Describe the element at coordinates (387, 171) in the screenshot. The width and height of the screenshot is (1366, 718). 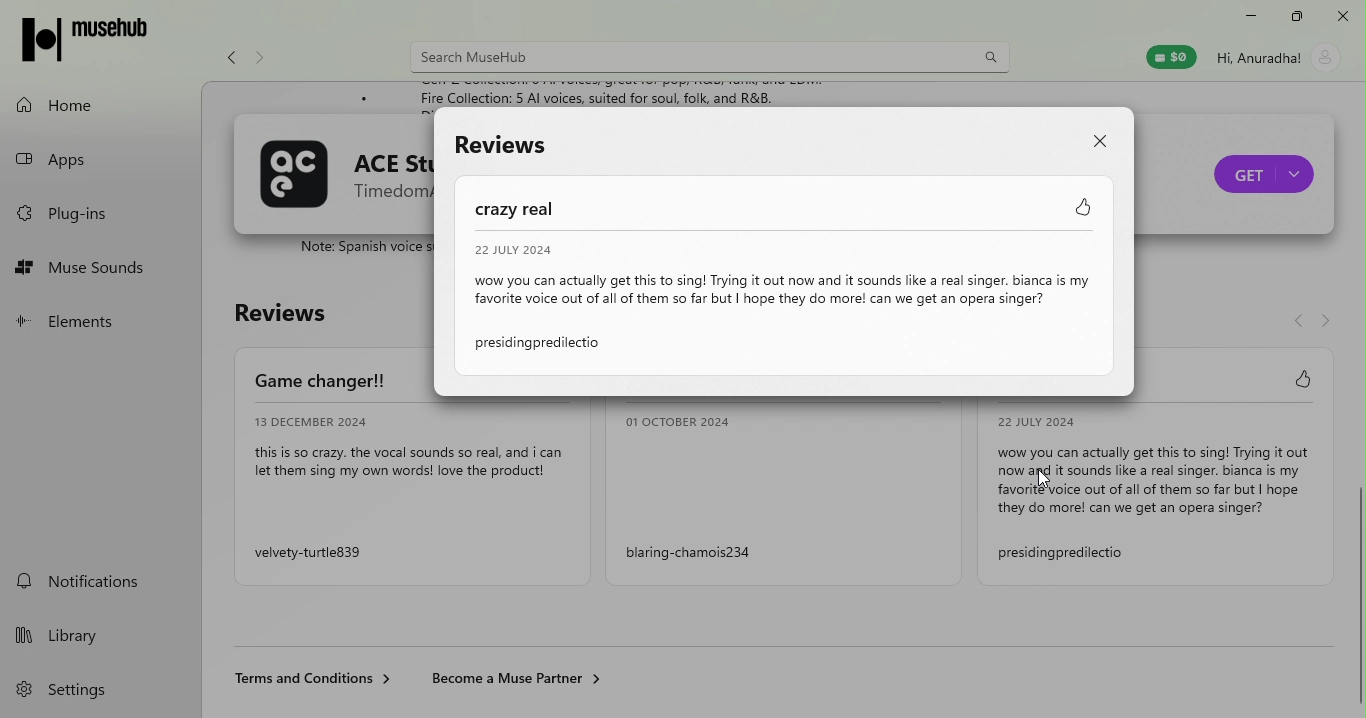
I see `ACE Studio name` at that location.